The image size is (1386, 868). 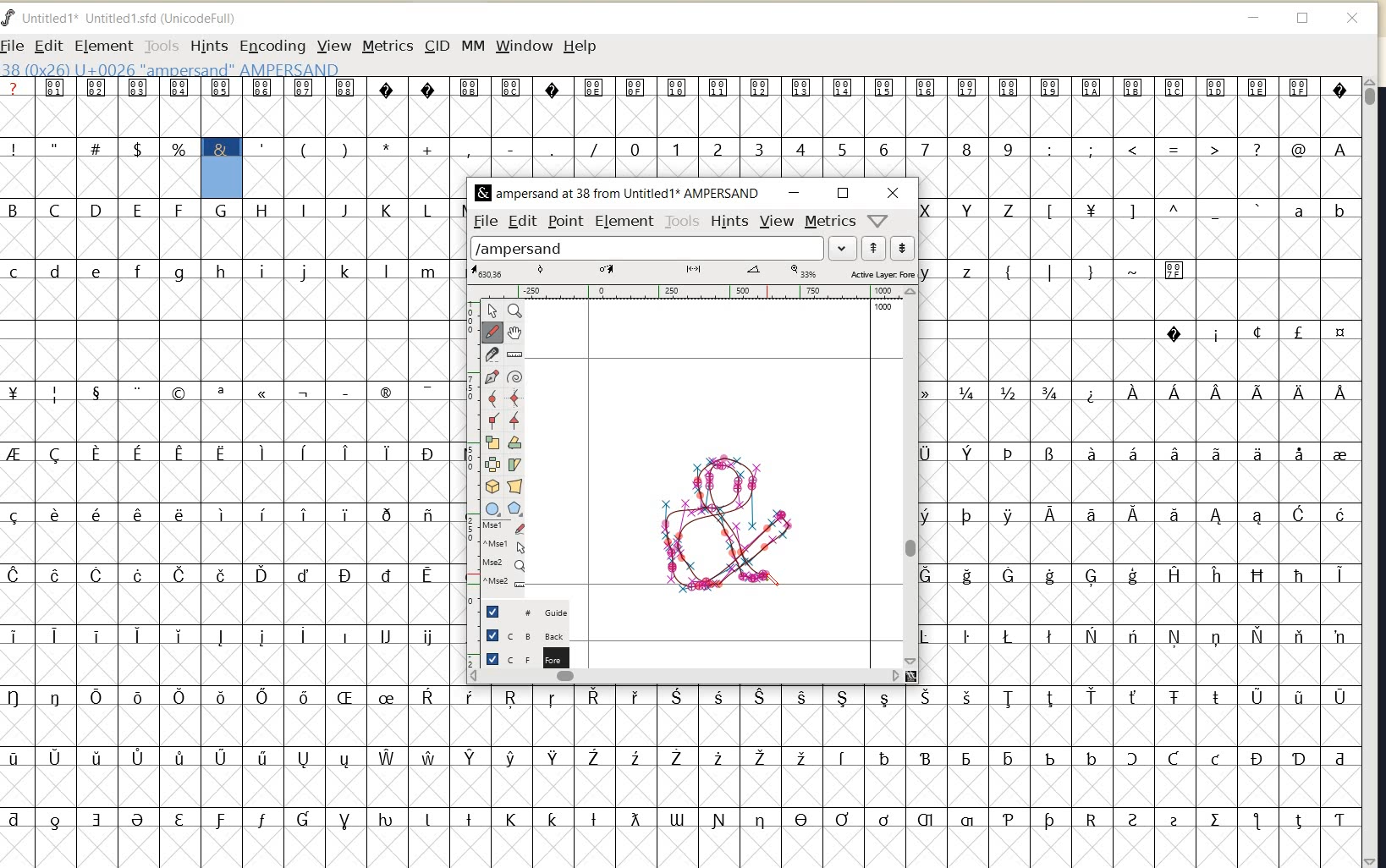 I want to click on flip the selection, so click(x=492, y=464).